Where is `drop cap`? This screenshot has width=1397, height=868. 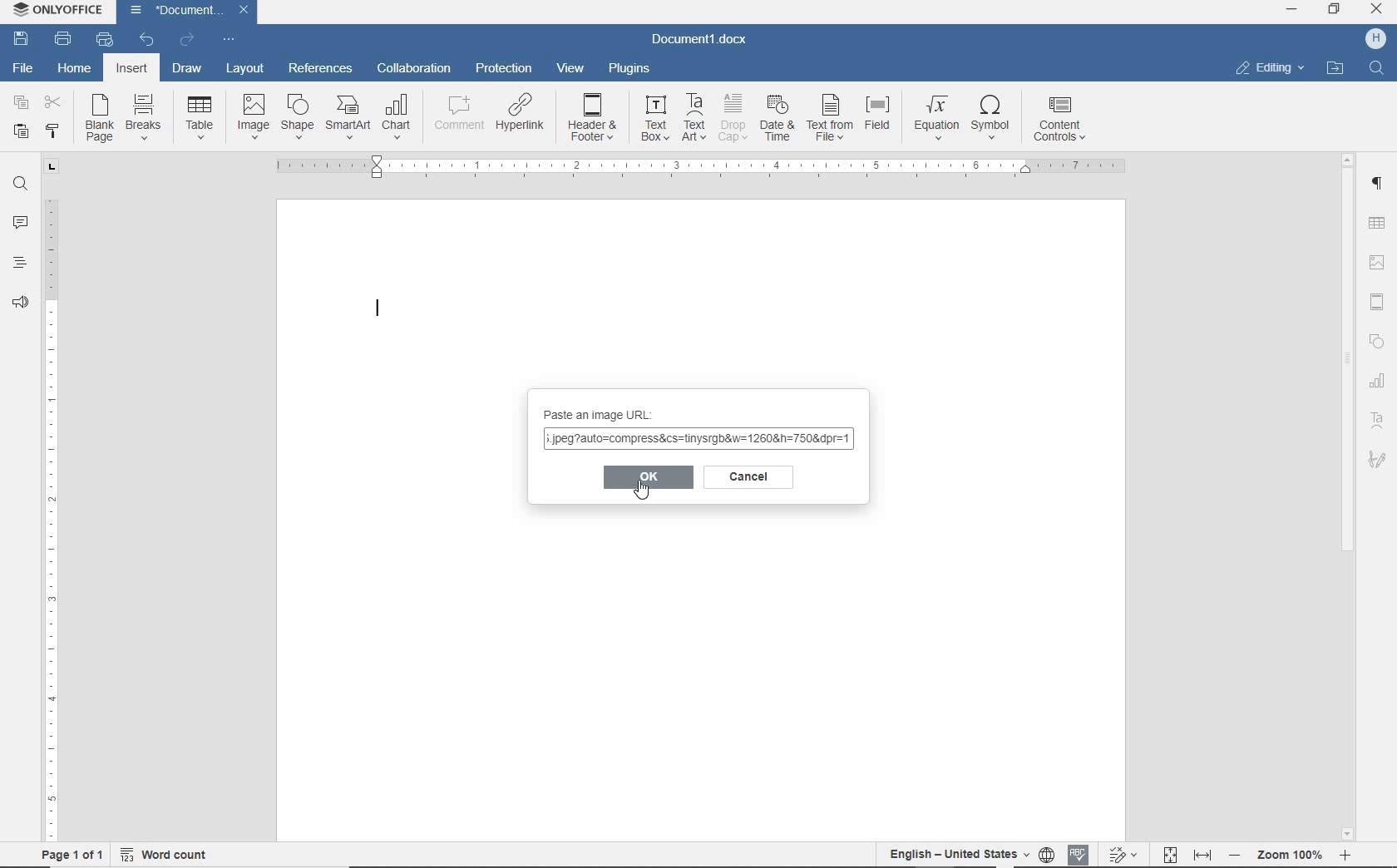
drop cap is located at coordinates (734, 117).